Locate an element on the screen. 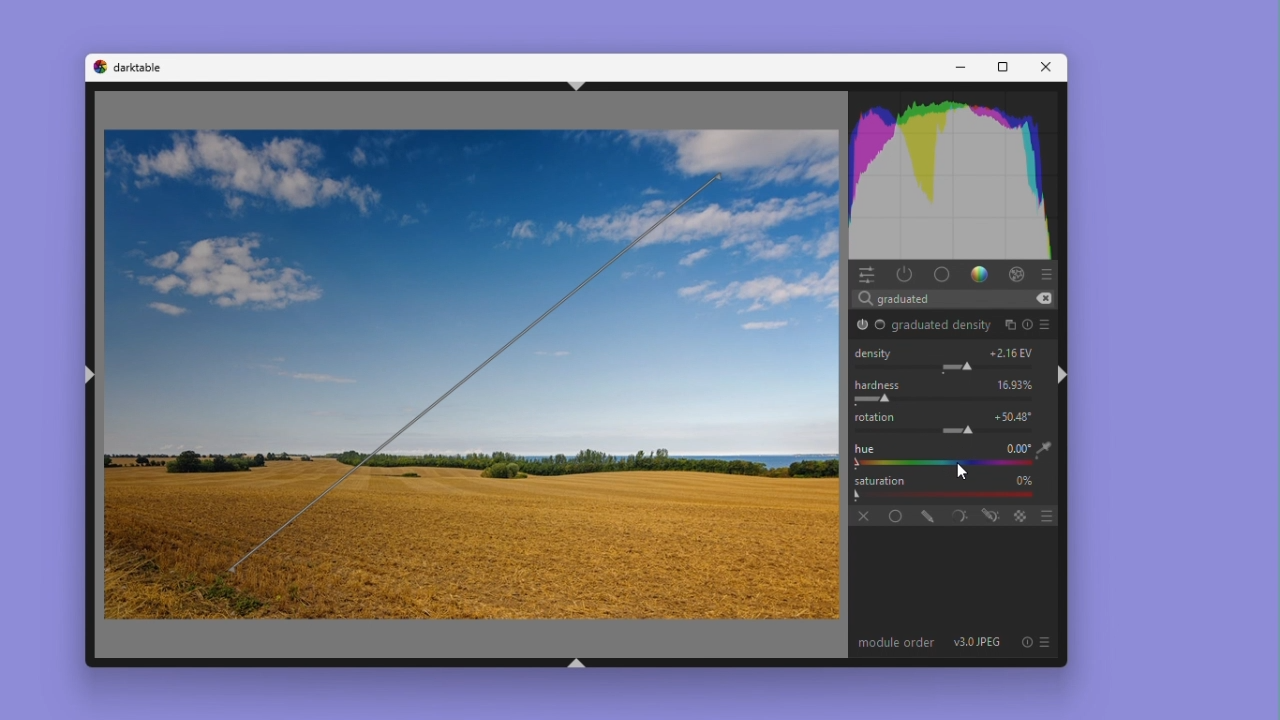 This screenshot has width=1280, height=720. drawn mask is located at coordinates (923, 514).